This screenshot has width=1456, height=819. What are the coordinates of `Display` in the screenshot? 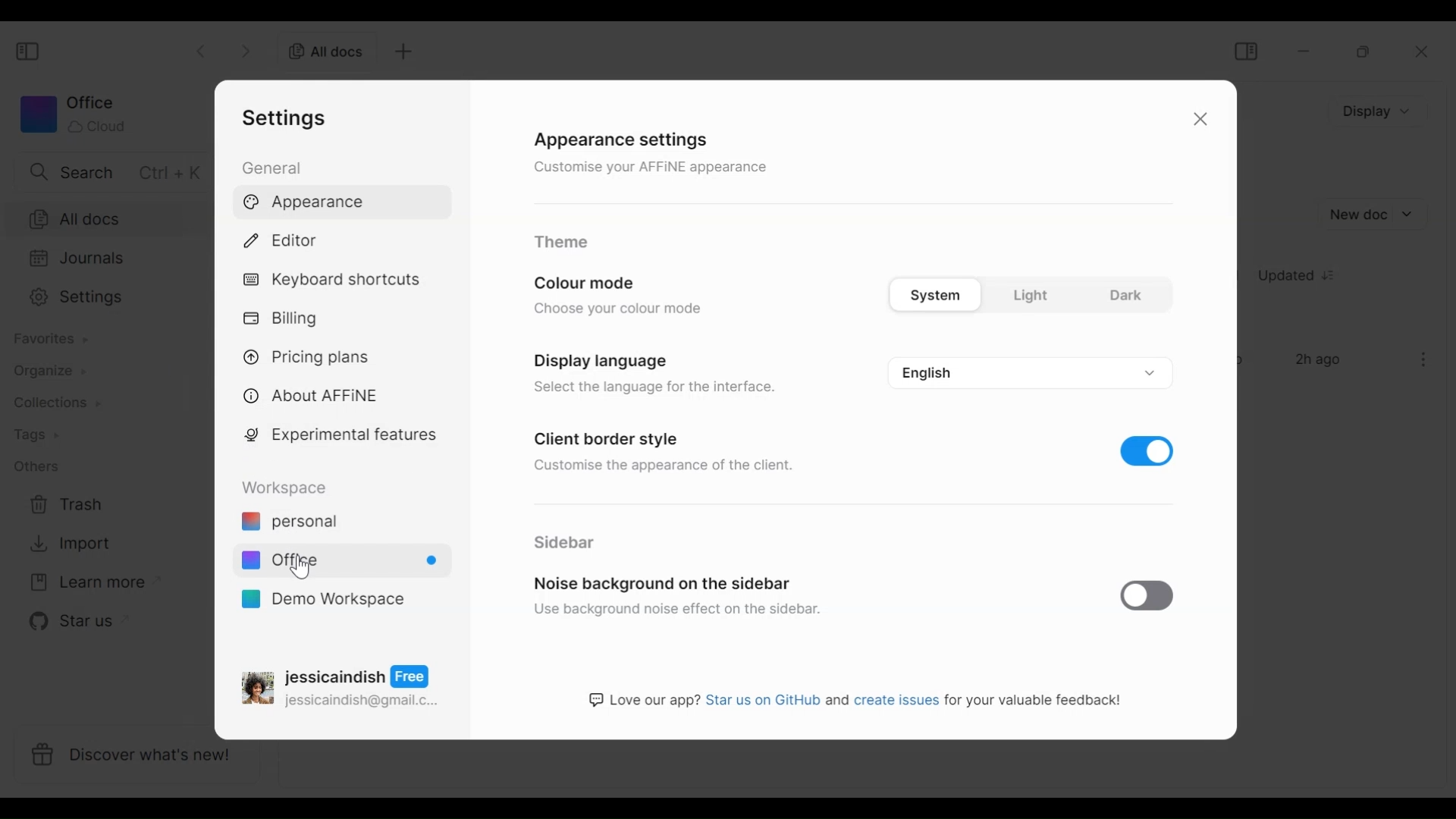 It's located at (1380, 110).